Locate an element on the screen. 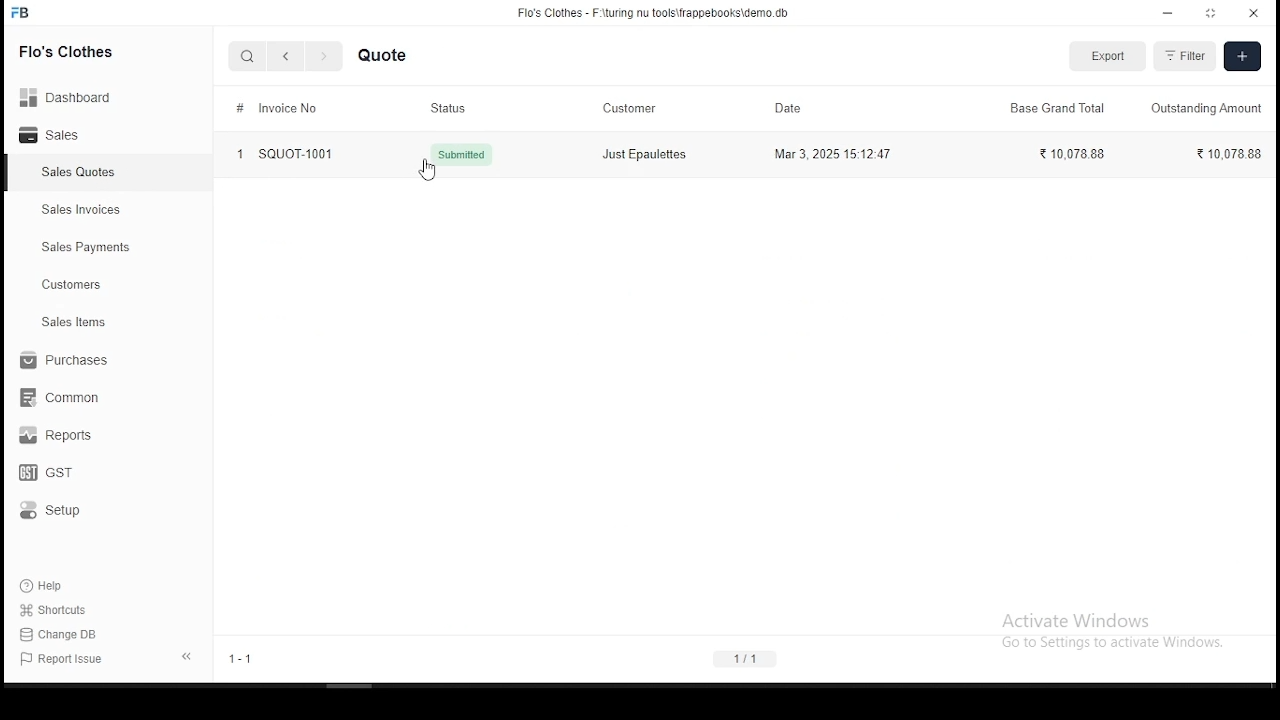 The width and height of the screenshot is (1280, 720). ?1007888 is located at coordinates (1073, 153).